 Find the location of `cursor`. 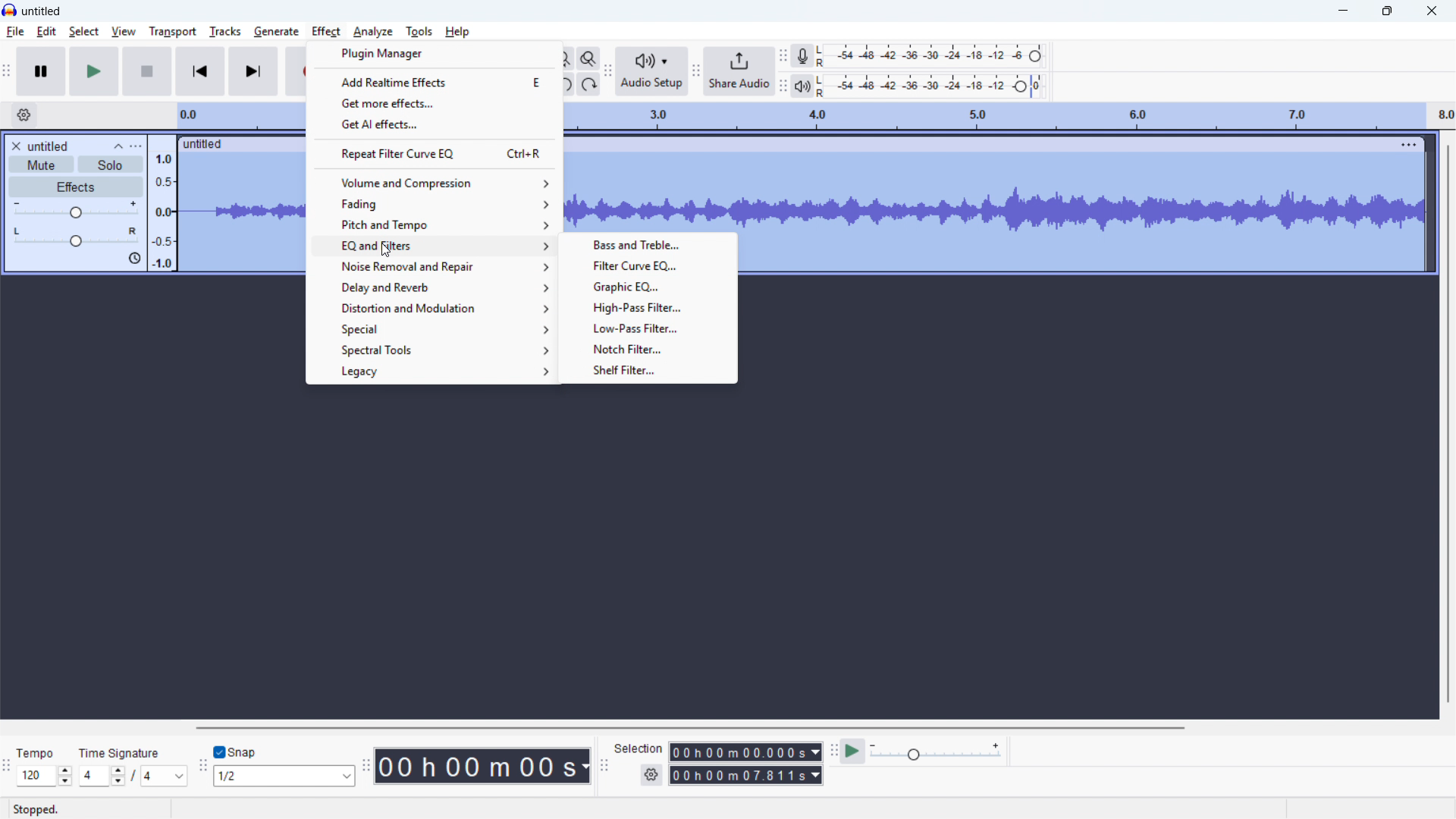

cursor is located at coordinates (384, 250).